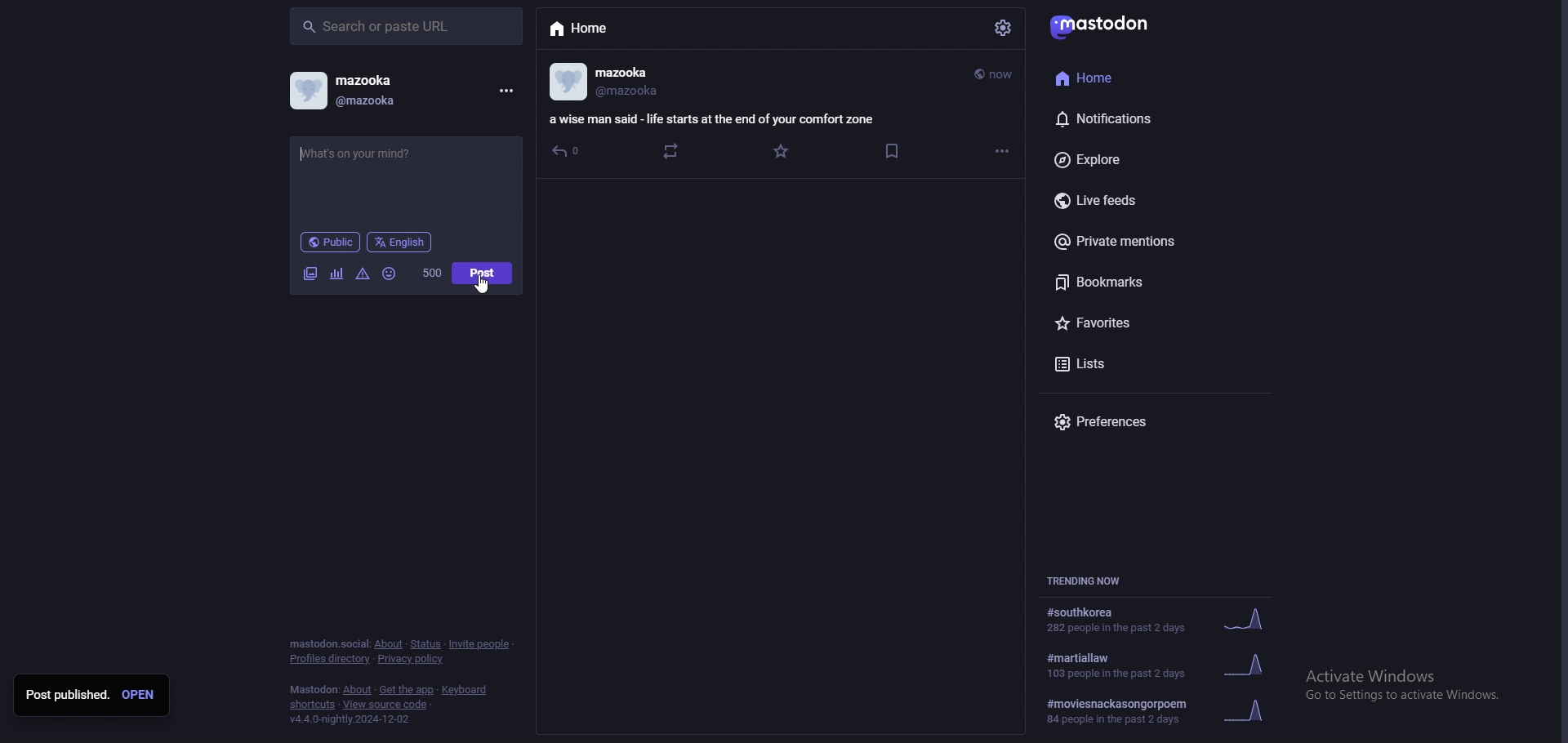  Describe the element at coordinates (1141, 283) in the screenshot. I see `bookmarks` at that location.